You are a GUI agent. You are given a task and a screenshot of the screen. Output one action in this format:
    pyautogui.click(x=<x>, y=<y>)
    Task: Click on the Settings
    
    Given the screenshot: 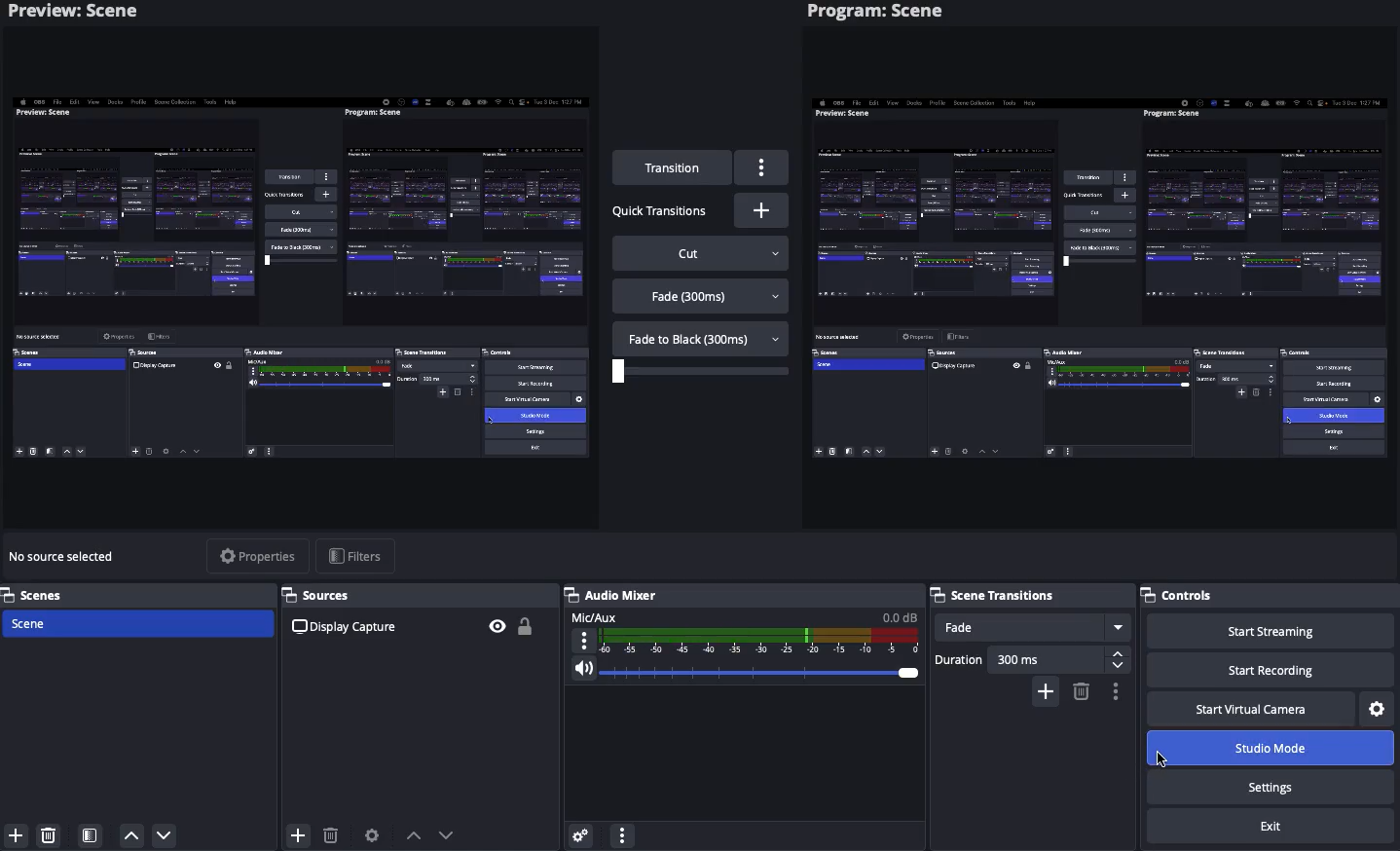 What is the action you would take?
    pyautogui.click(x=1273, y=786)
    